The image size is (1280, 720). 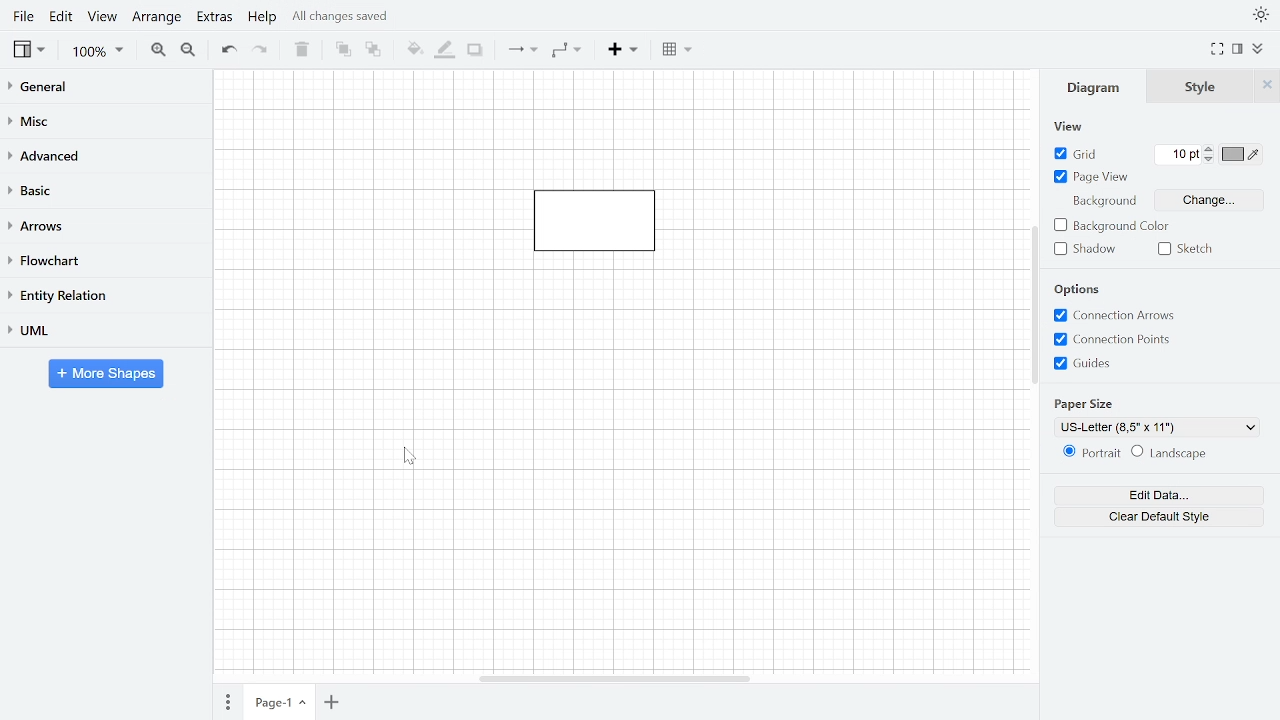 What do you see at coordinates (101, 51) in the screenshot?
I see `Zoom` at bounding box center [101, 51].